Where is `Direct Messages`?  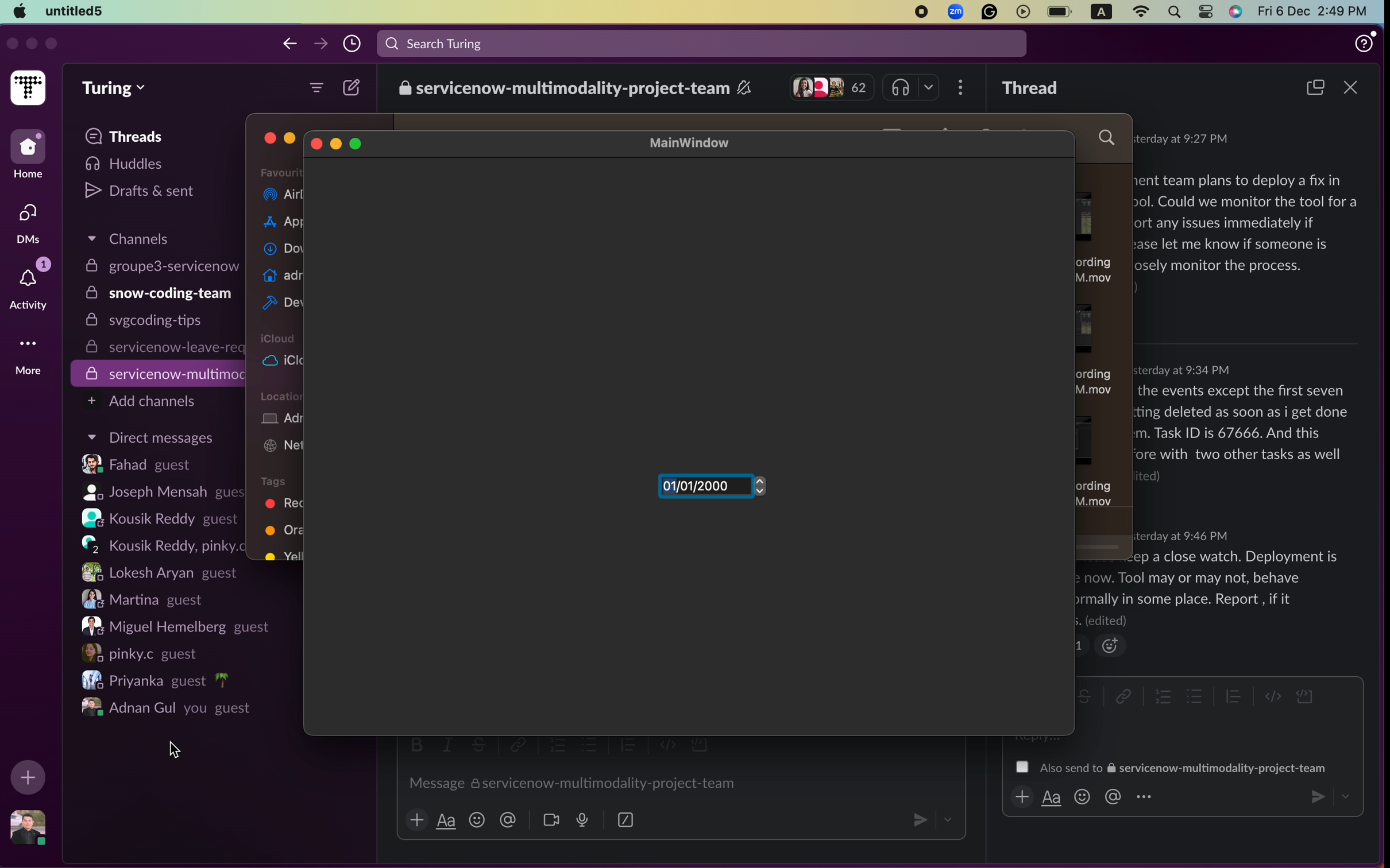
Direct Messages is located at coordinates (149, 440).